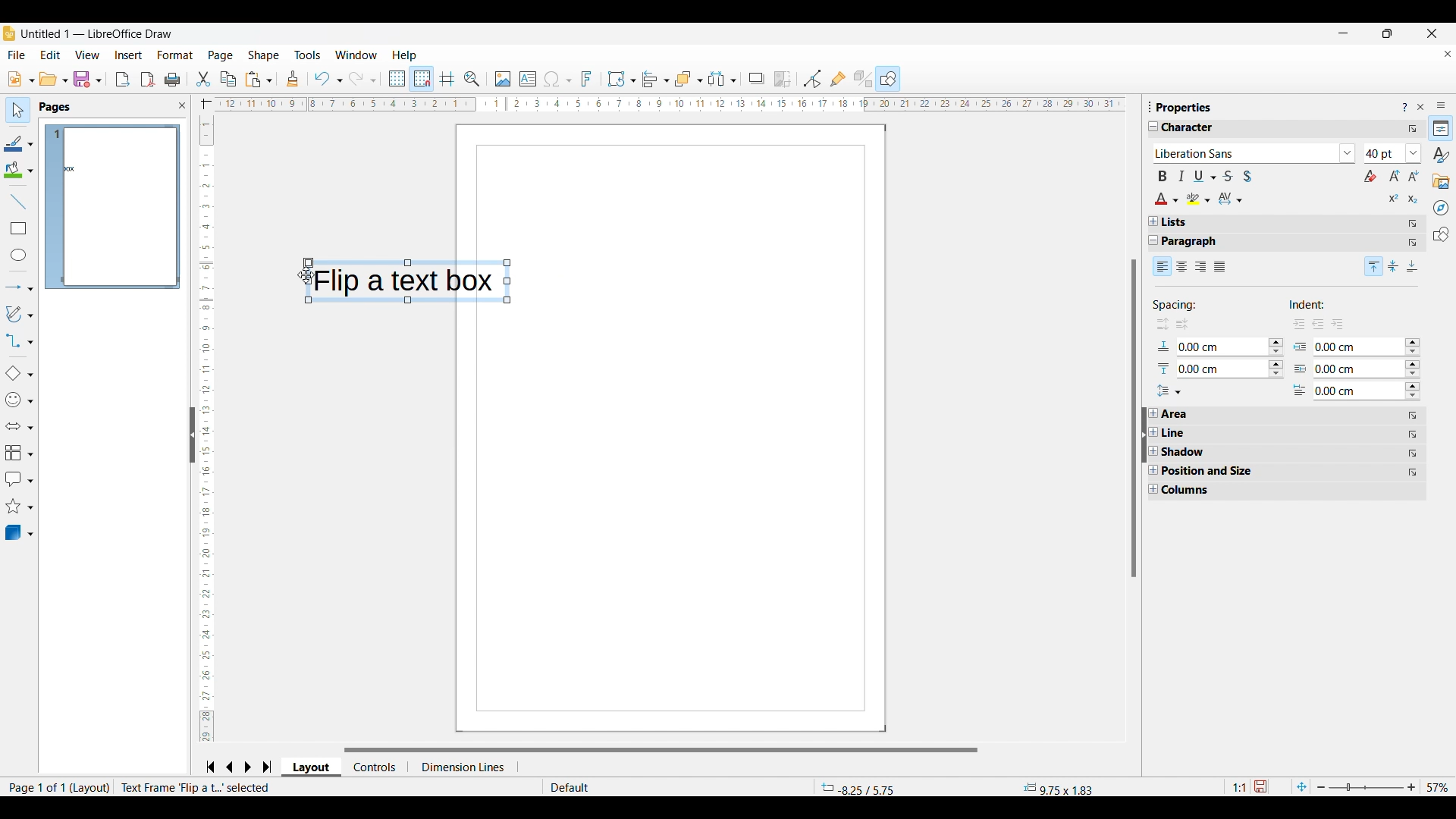 This screenshot has height=819, width=1456. What do you see at coordinates (328, 79) in the screenshot?
I see `Undo` at bounding box center [328, 79].